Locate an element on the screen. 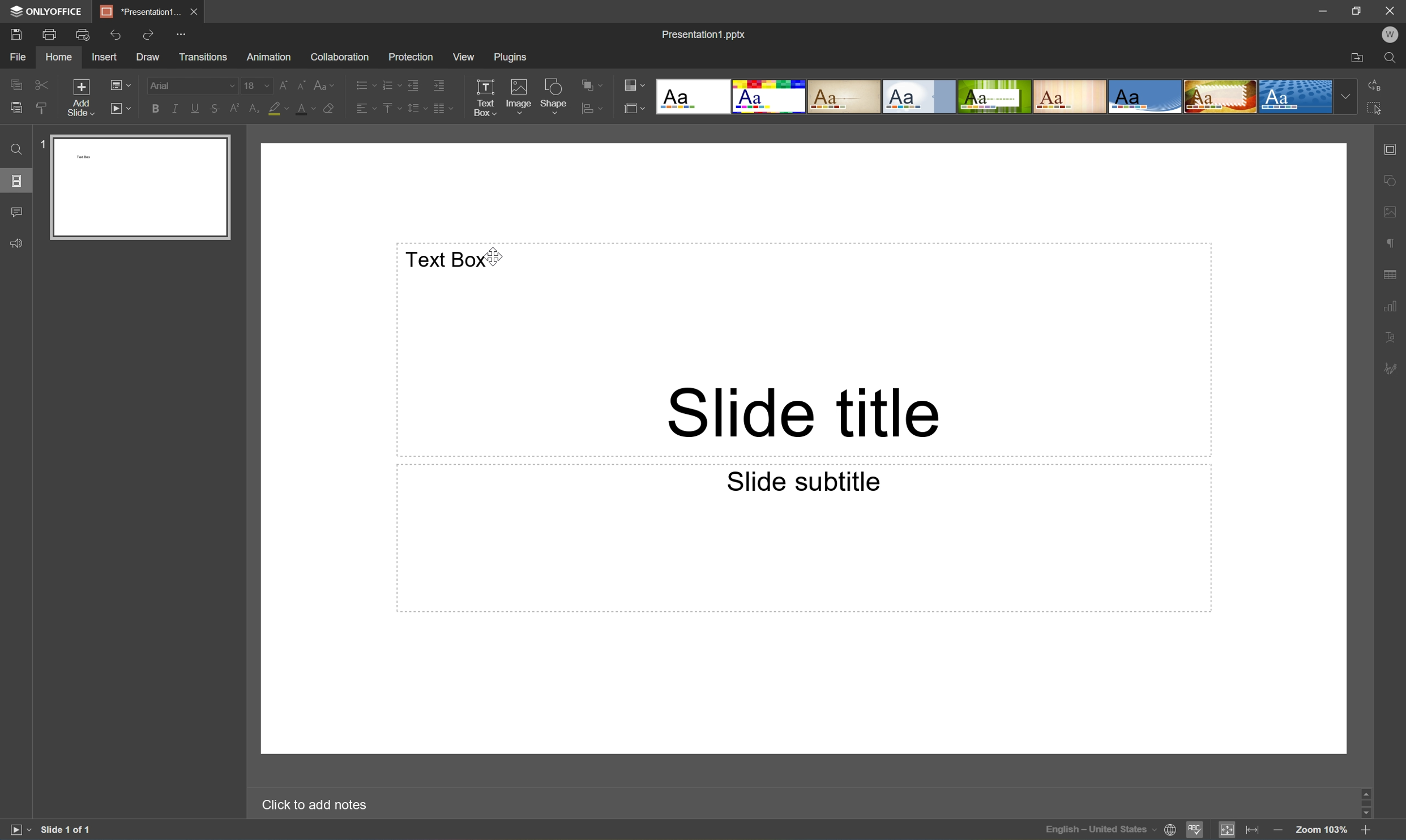 This screenshot has height=840, width=1406. Change slide layout is located at coordinates (119, 84).